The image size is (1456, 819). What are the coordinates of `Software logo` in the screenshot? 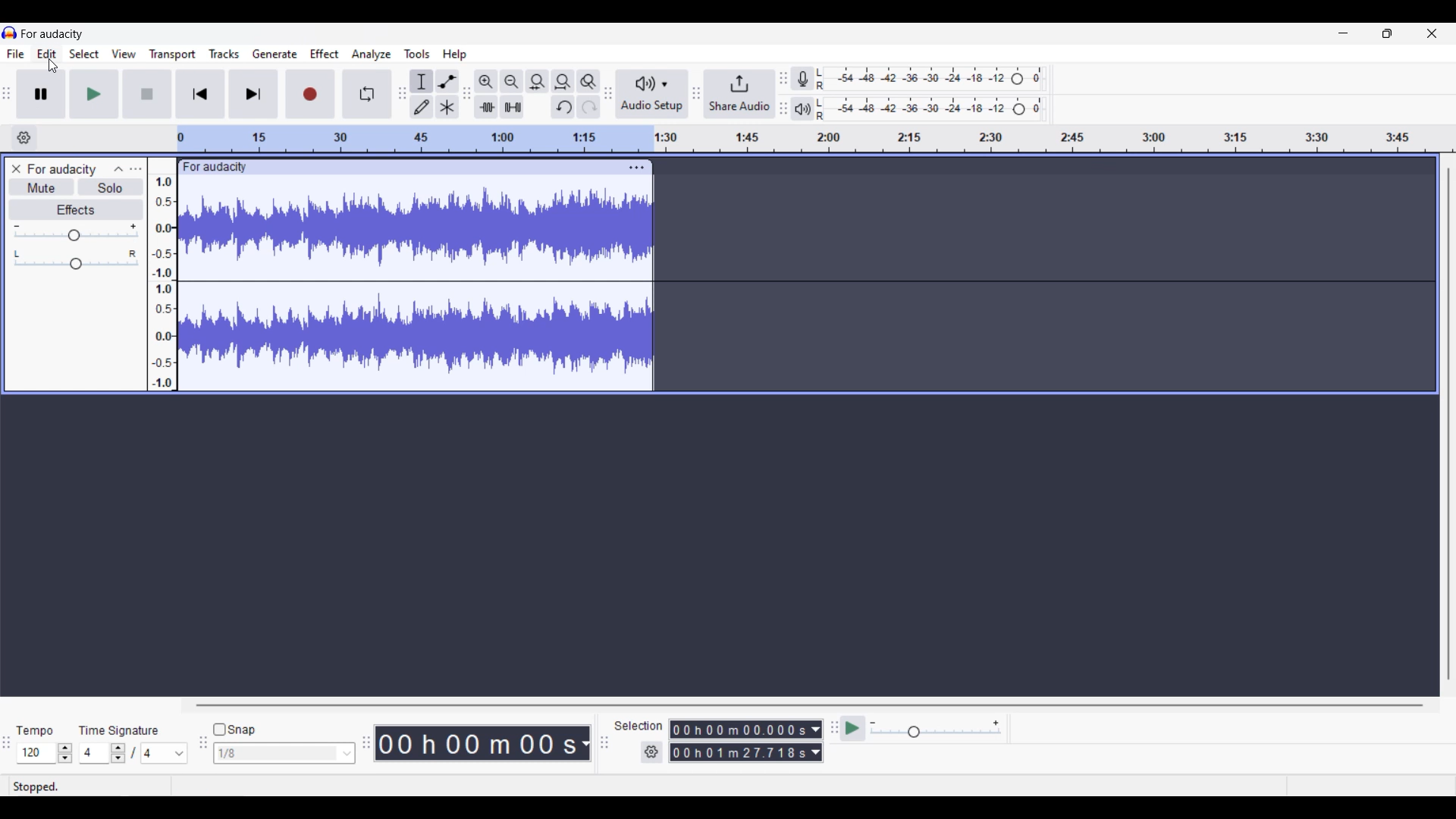 It's located at (10, 33).